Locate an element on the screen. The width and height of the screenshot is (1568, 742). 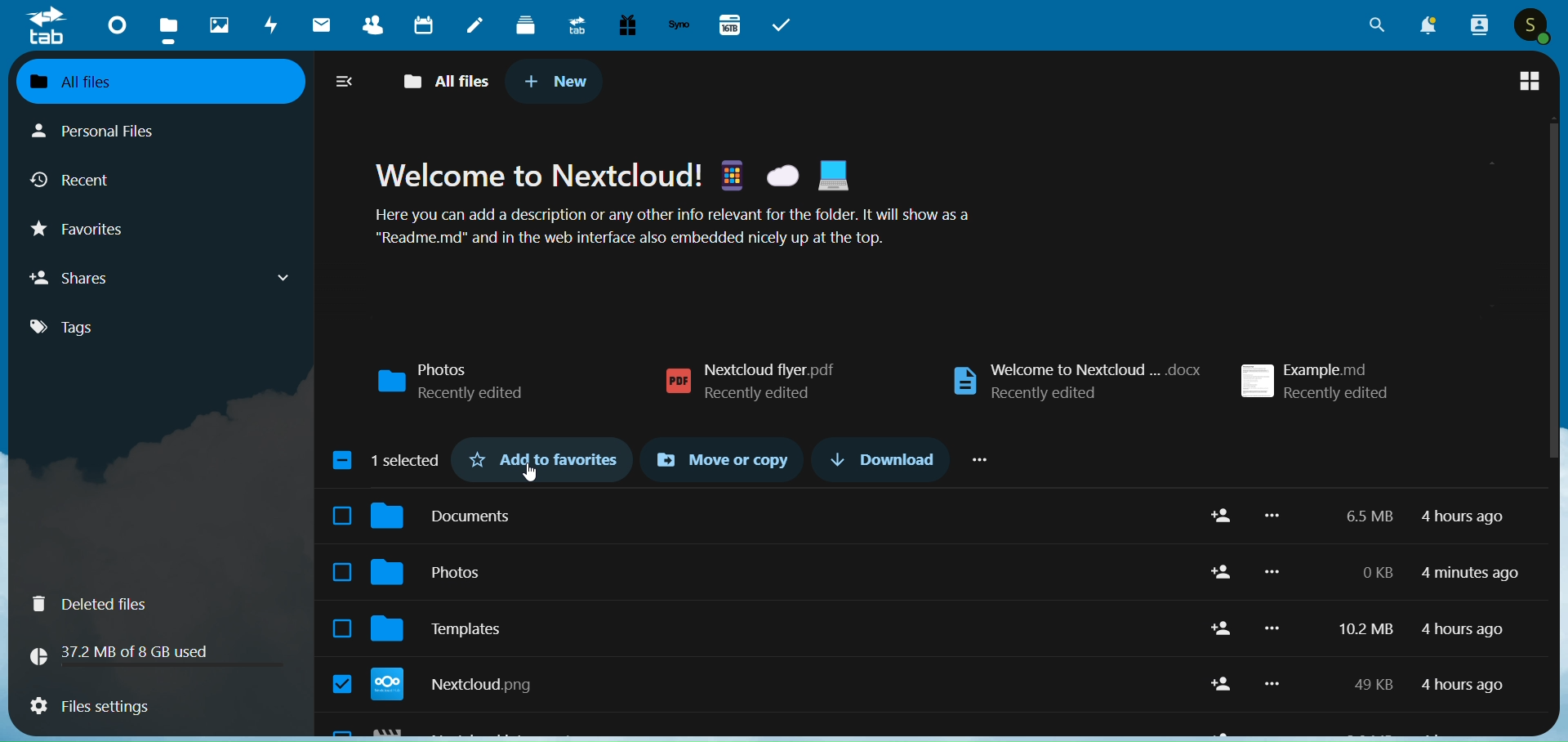
upgrade is located at coordinates (572, 26).